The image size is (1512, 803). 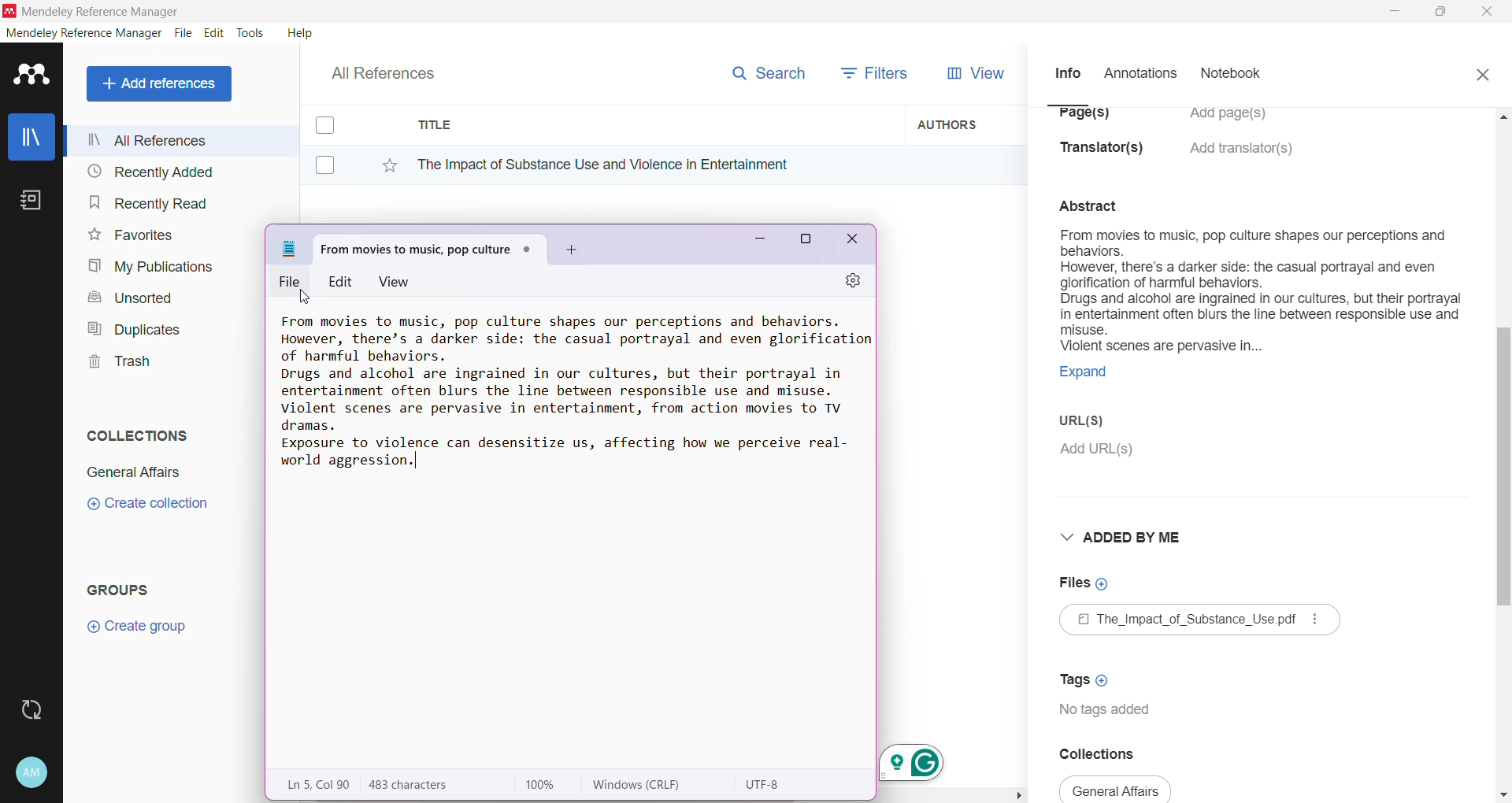 What do you see at coordinates (333, 144) in the screenshot?
I see `Click to select item(s)` at bounding box center [333, 144].